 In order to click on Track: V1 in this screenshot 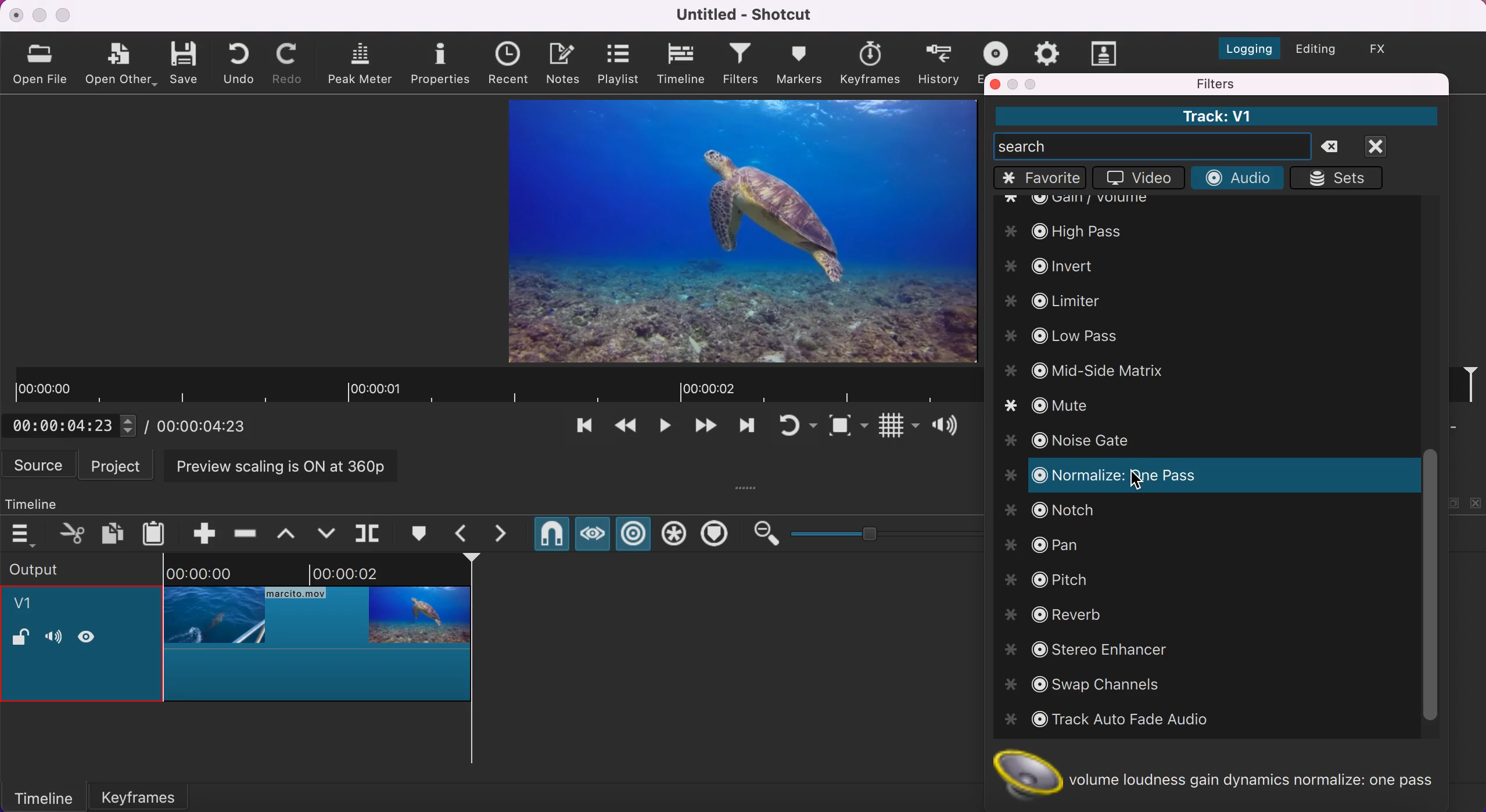, I will do `click(1215, 116)`.